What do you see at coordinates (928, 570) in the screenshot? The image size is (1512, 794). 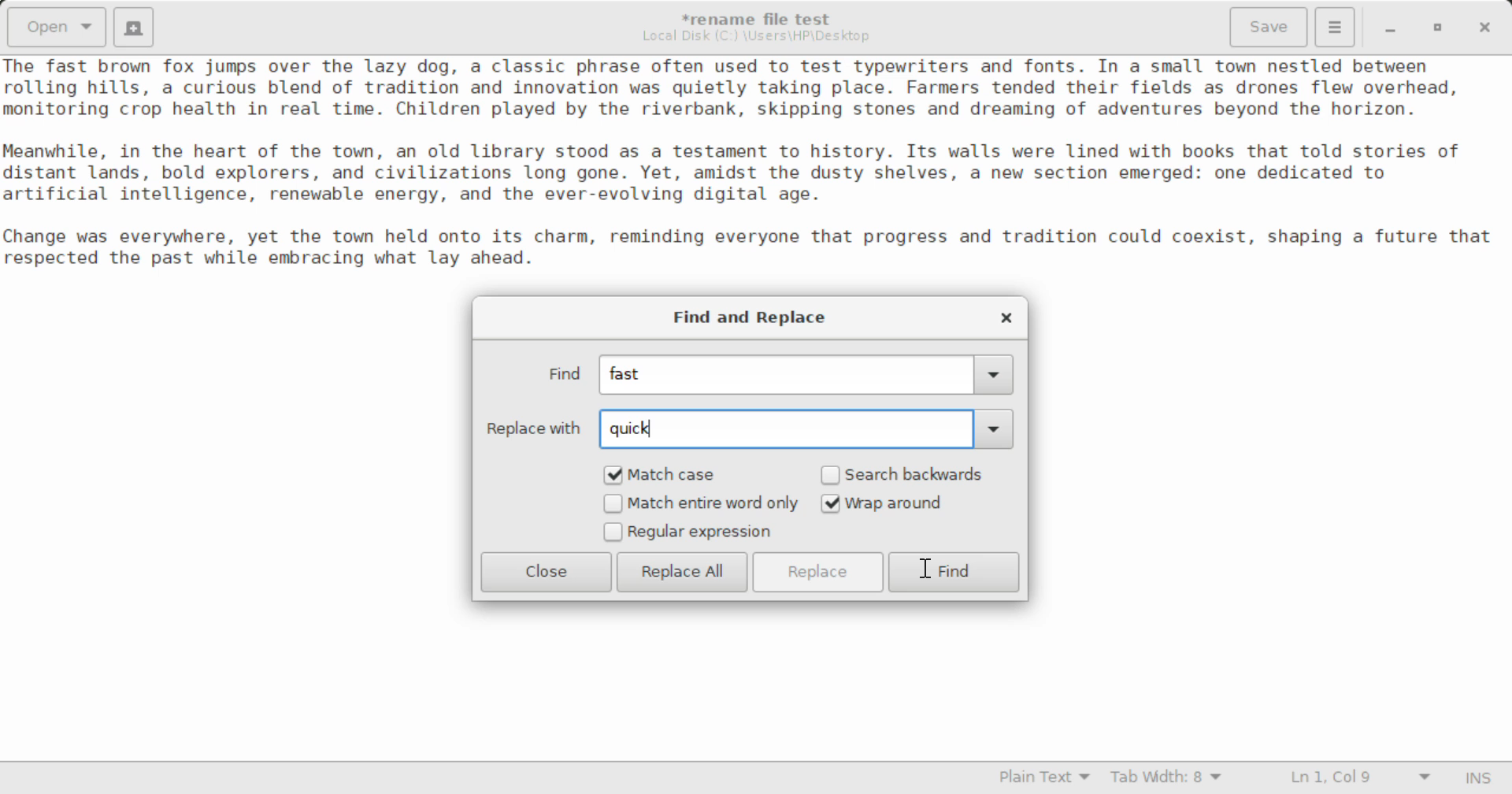 I see `Cursor on Find Button` at bounding box center [928, 570].